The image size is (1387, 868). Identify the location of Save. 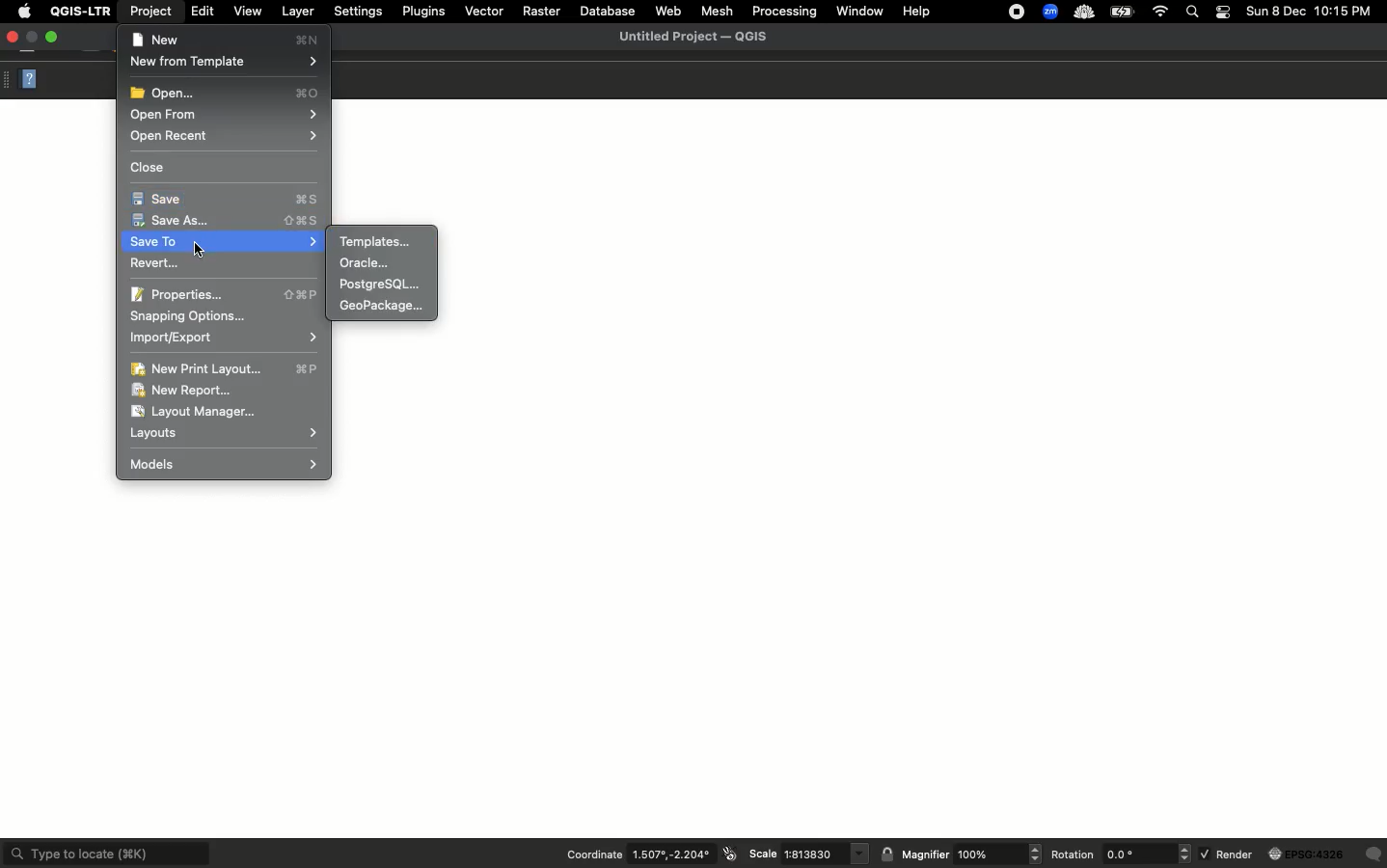
(227, 200).